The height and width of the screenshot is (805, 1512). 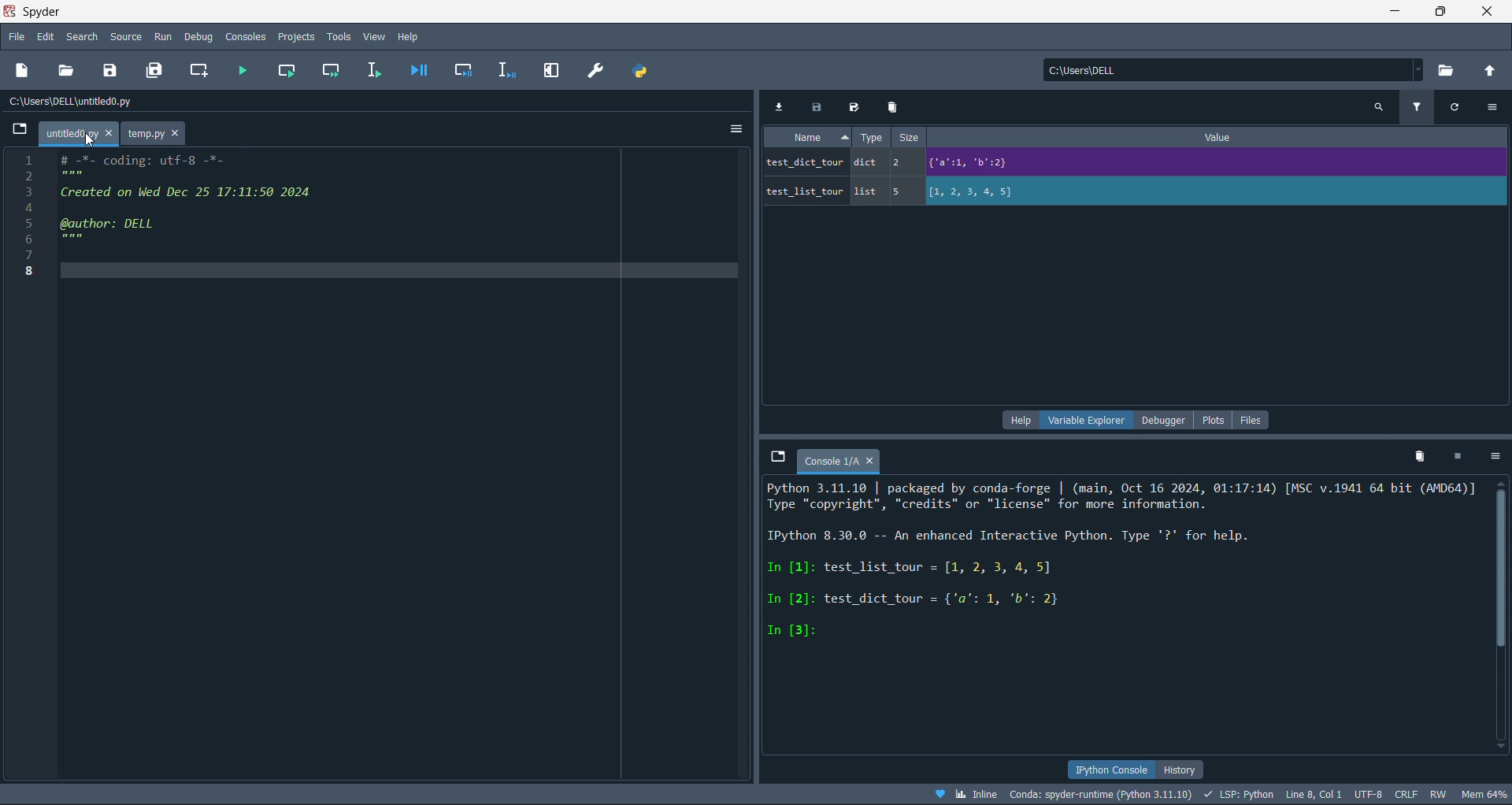 What do you see at coordinates (914, 195) in the screenshot?
I see `test list tour list 5 |[1,2,3, 4, 5)` at bounding box center [914, 195].